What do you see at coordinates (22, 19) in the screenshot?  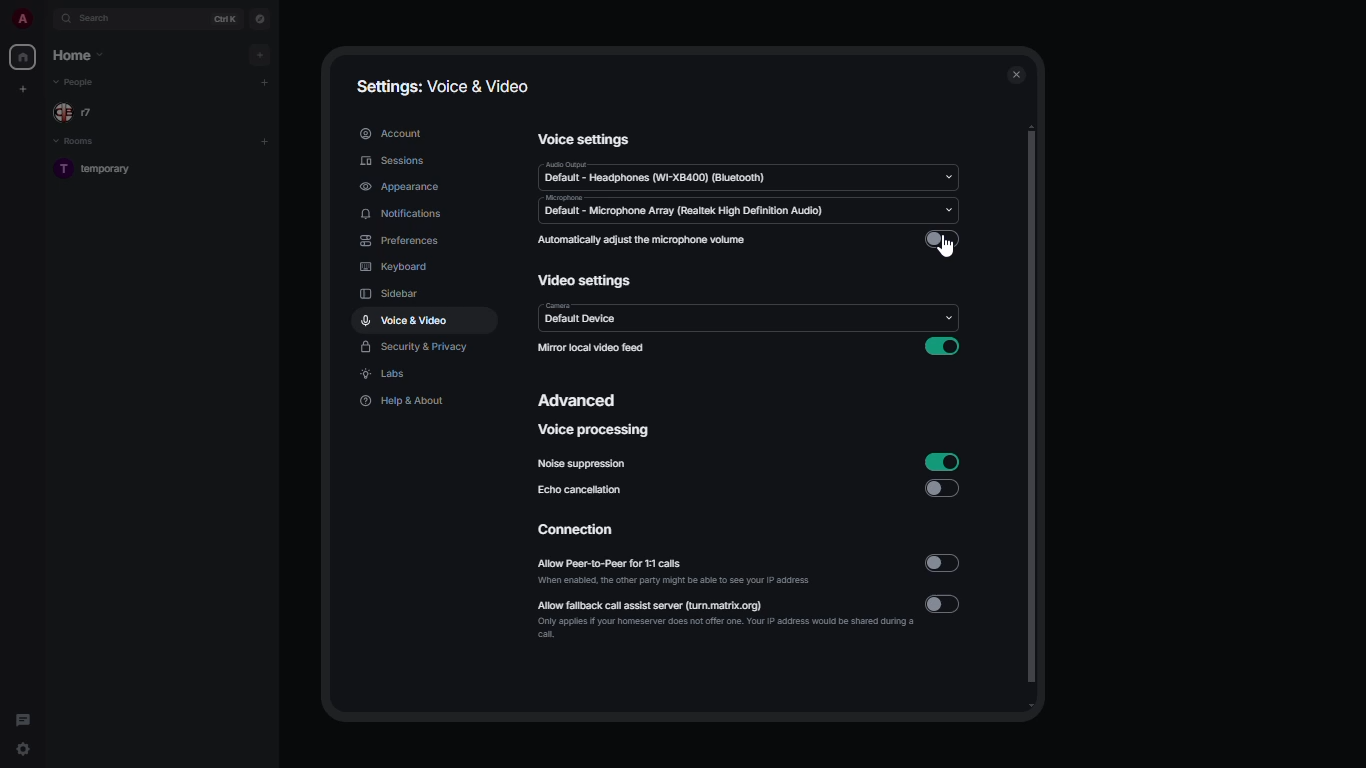 I see `profile` at bounding box center [22, 19].